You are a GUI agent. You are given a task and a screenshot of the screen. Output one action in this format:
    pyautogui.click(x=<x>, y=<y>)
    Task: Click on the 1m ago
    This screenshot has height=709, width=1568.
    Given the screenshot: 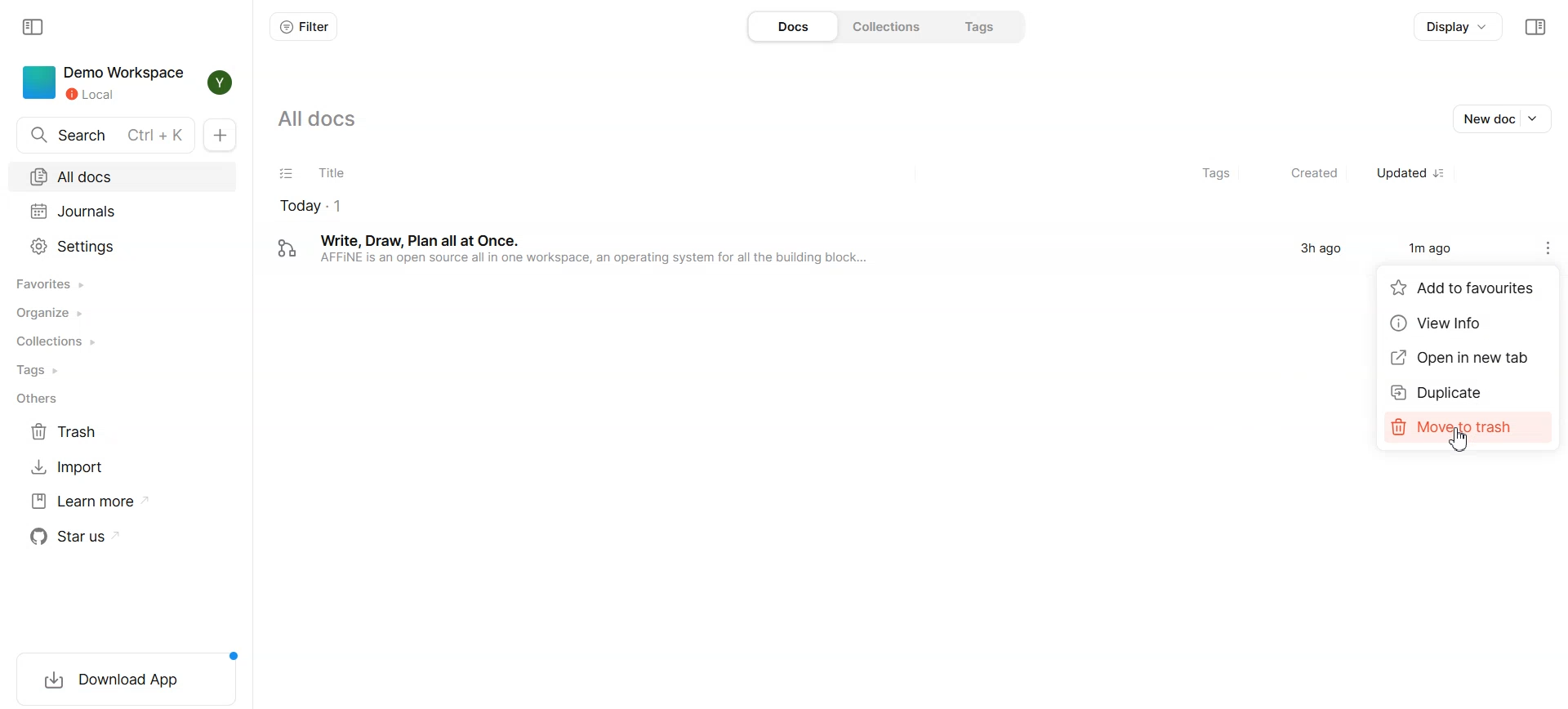 What is the action you would take?
    pyautogui.click(x=1428, y=248)
    